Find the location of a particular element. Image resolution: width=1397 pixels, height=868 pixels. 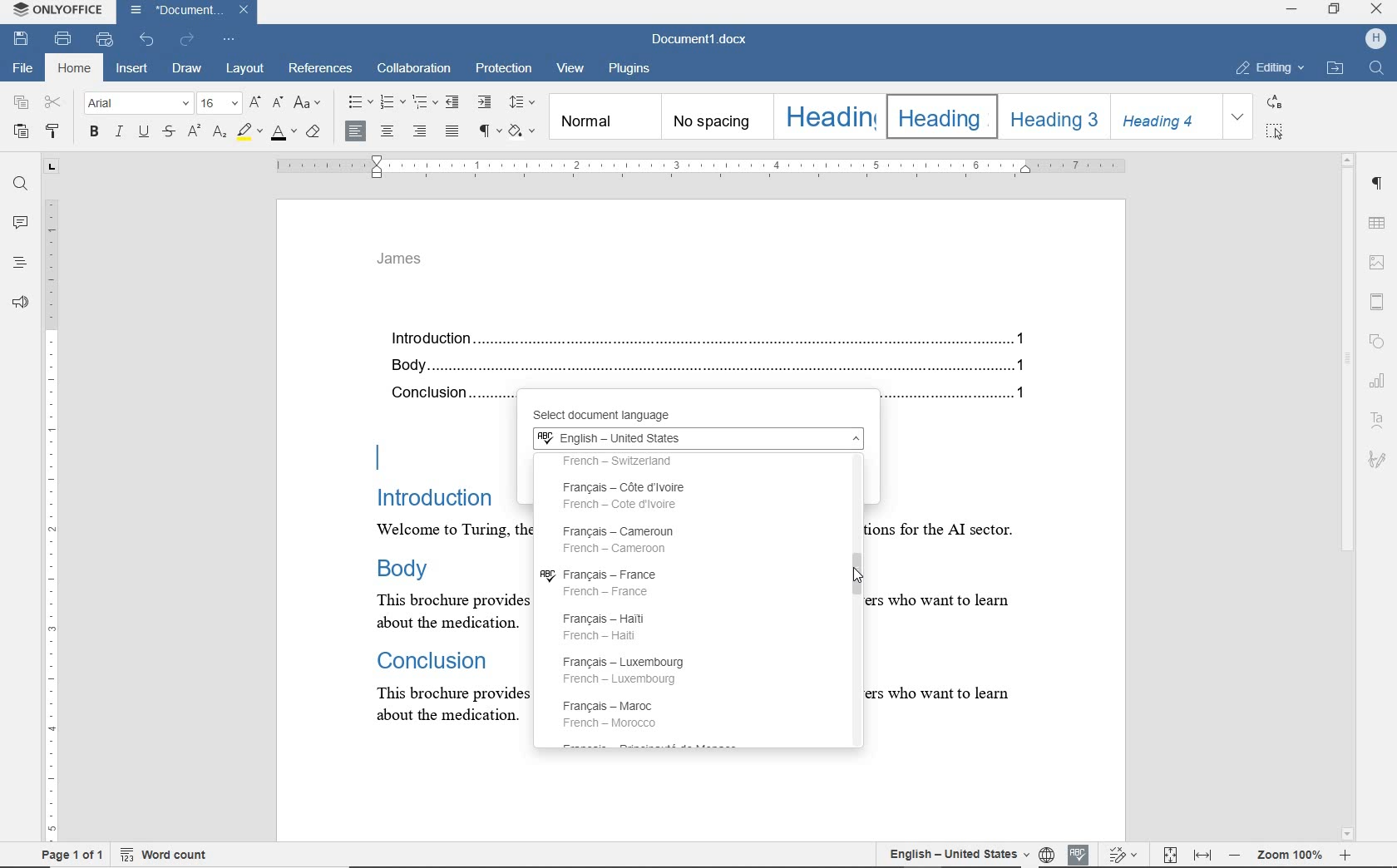

zoom out or zoom in is located at coordinates (1293, 853).